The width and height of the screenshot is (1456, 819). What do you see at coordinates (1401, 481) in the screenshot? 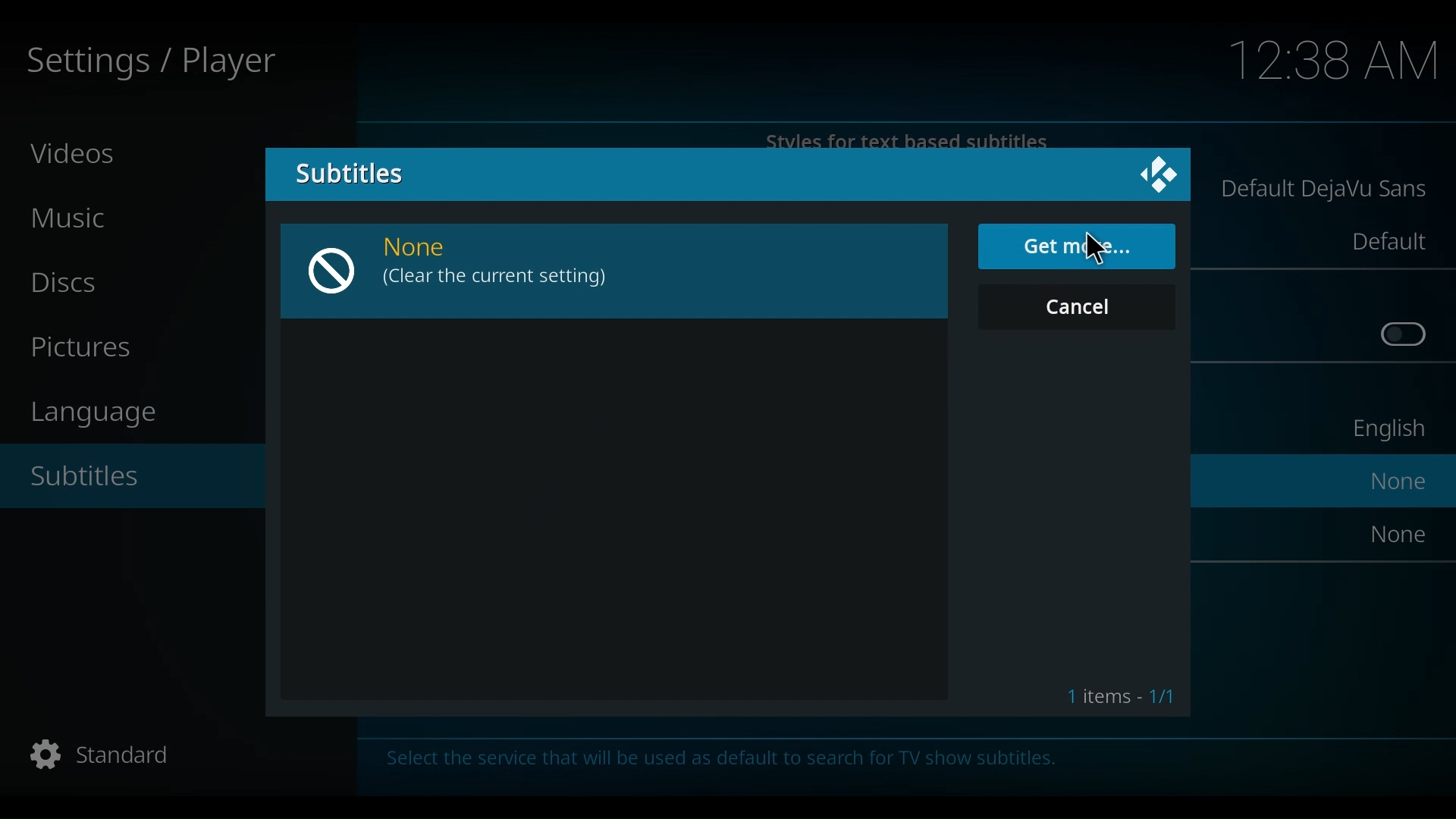
I see `None` at bounding box center [1401, 481].